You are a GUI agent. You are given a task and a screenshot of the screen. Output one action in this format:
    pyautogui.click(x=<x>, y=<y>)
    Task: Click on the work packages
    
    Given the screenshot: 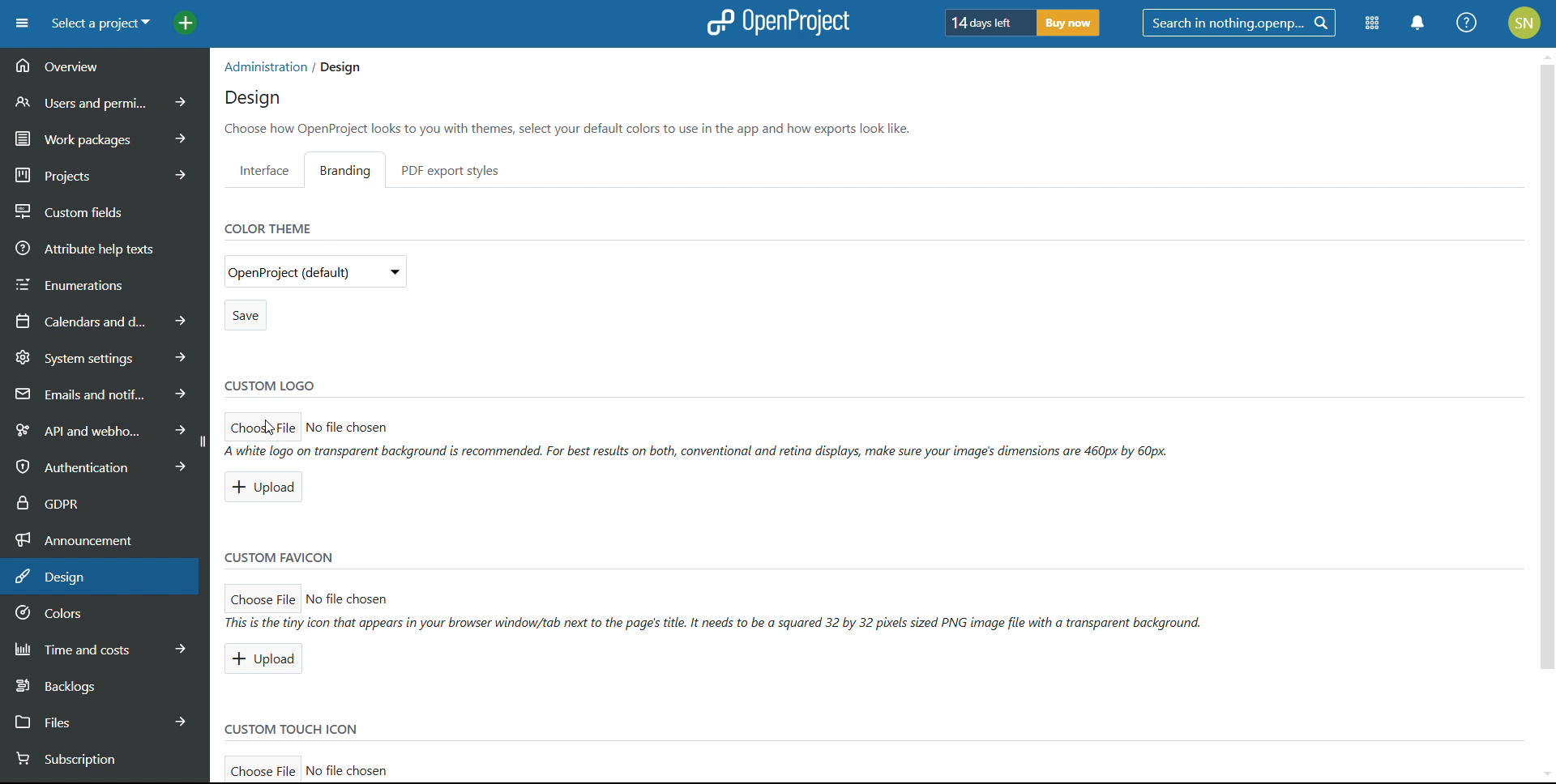 What is the action you would take?
    pyautogui.click(x=105, y=136)
    